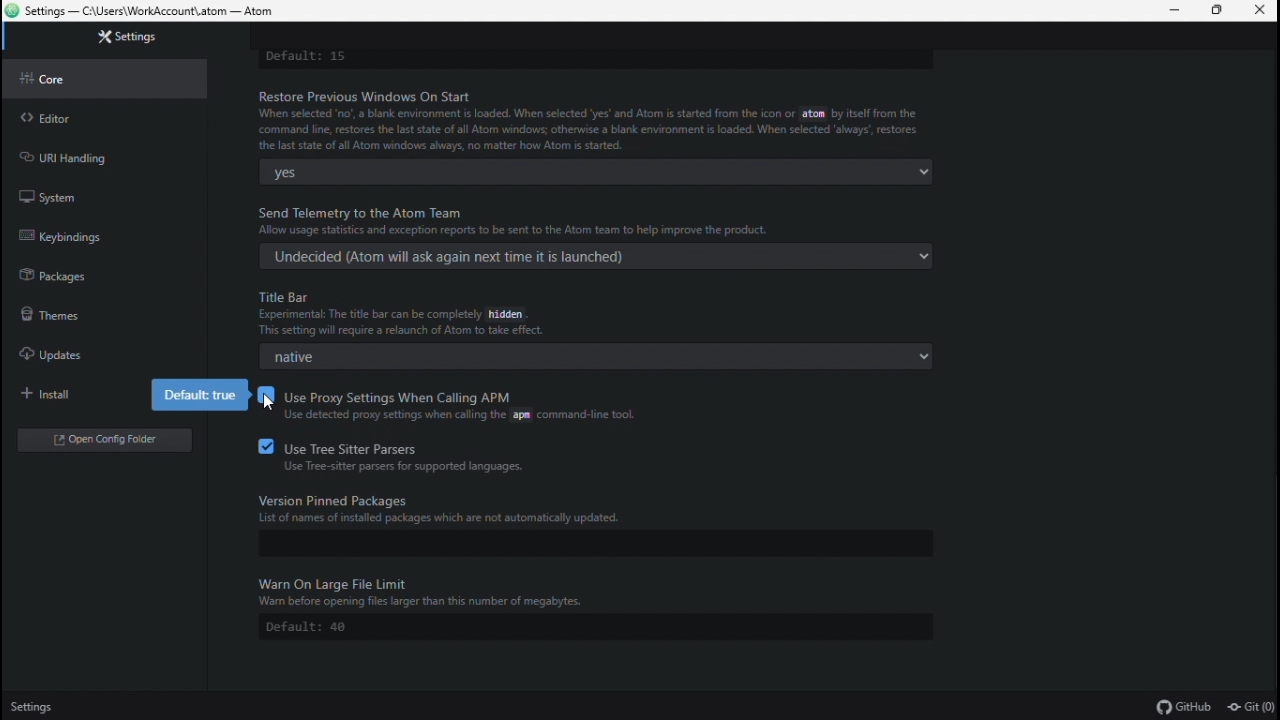  What do you see at coordinates (1250, 707) in the screenshot?
I see `Git (0)` at bounding box center [1250, 707].